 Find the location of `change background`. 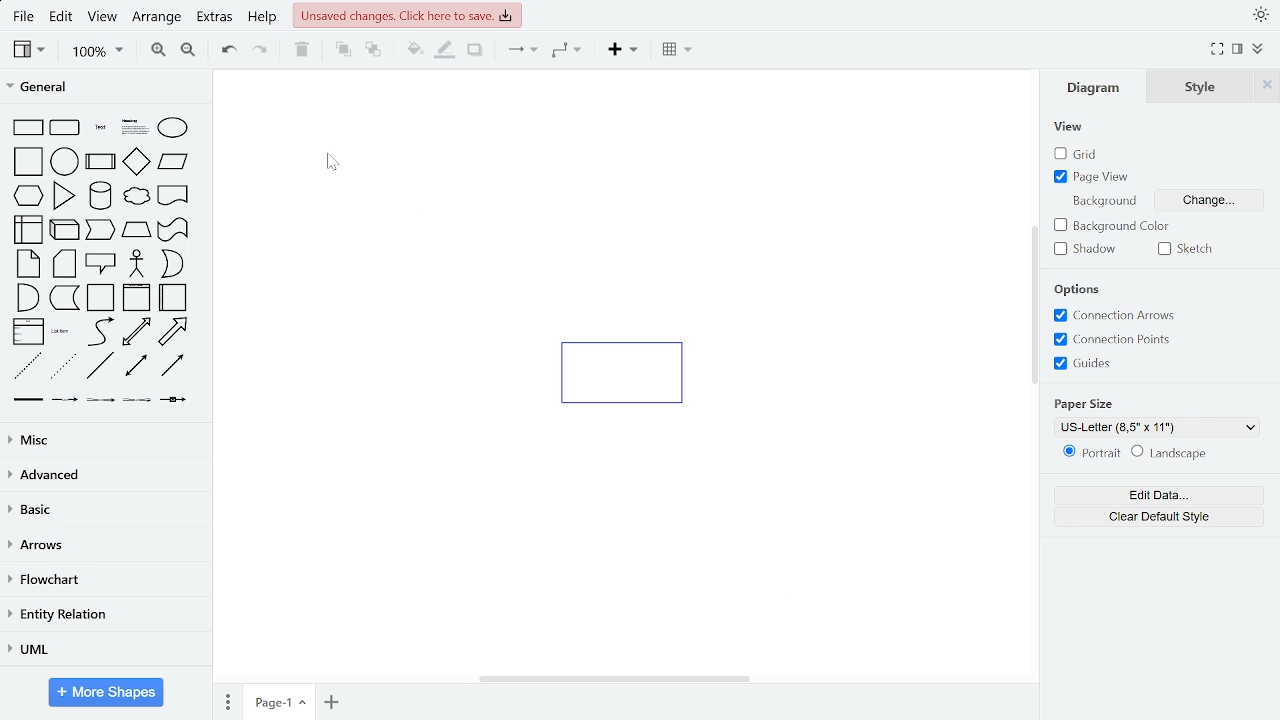

change background is located at coordinates (1218, 201).